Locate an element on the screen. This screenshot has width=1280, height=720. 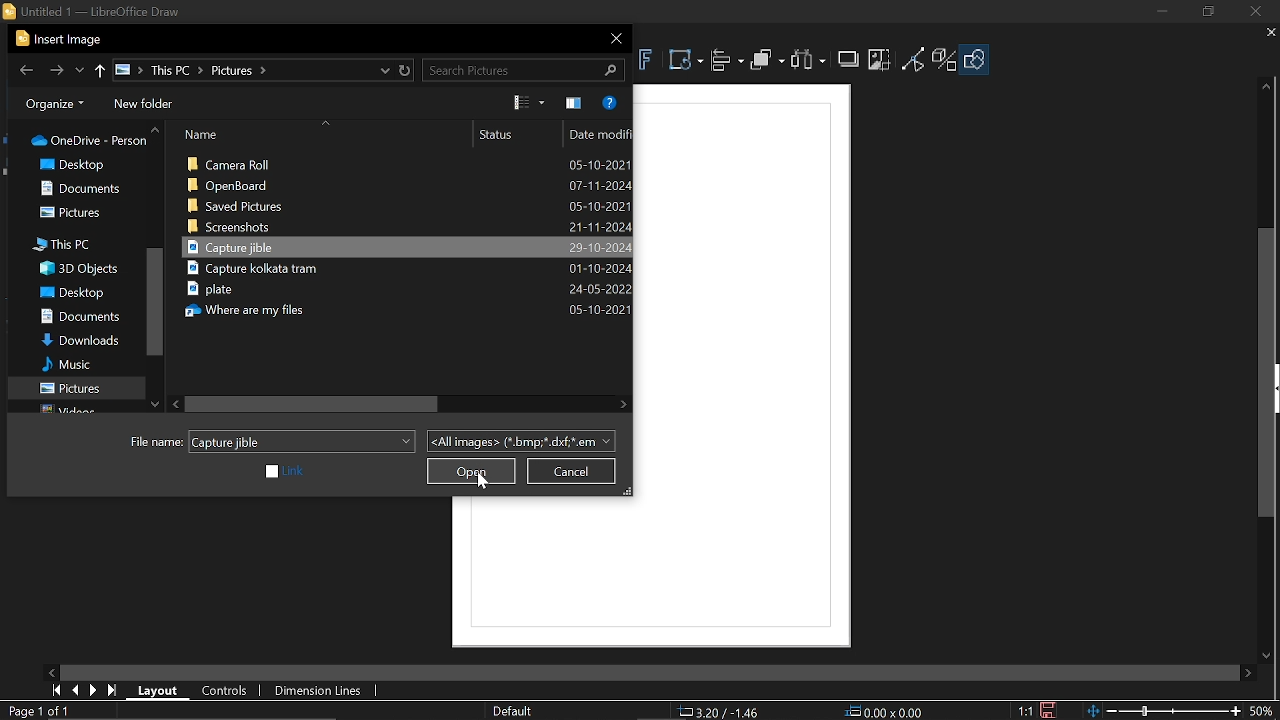
link is located at coordinates (287, 472).